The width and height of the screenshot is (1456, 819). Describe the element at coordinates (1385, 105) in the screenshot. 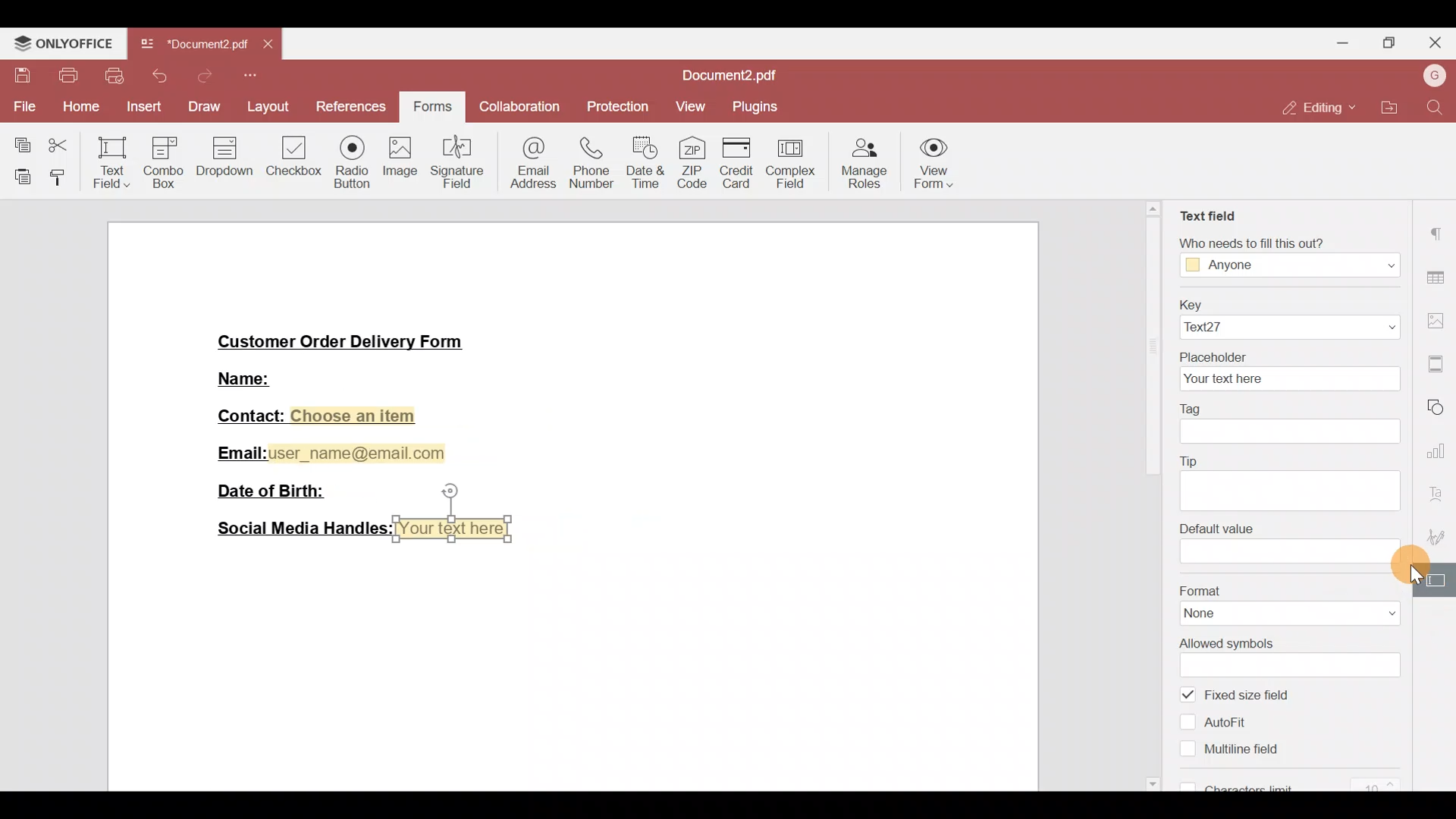

I see `Open file location` at that location.